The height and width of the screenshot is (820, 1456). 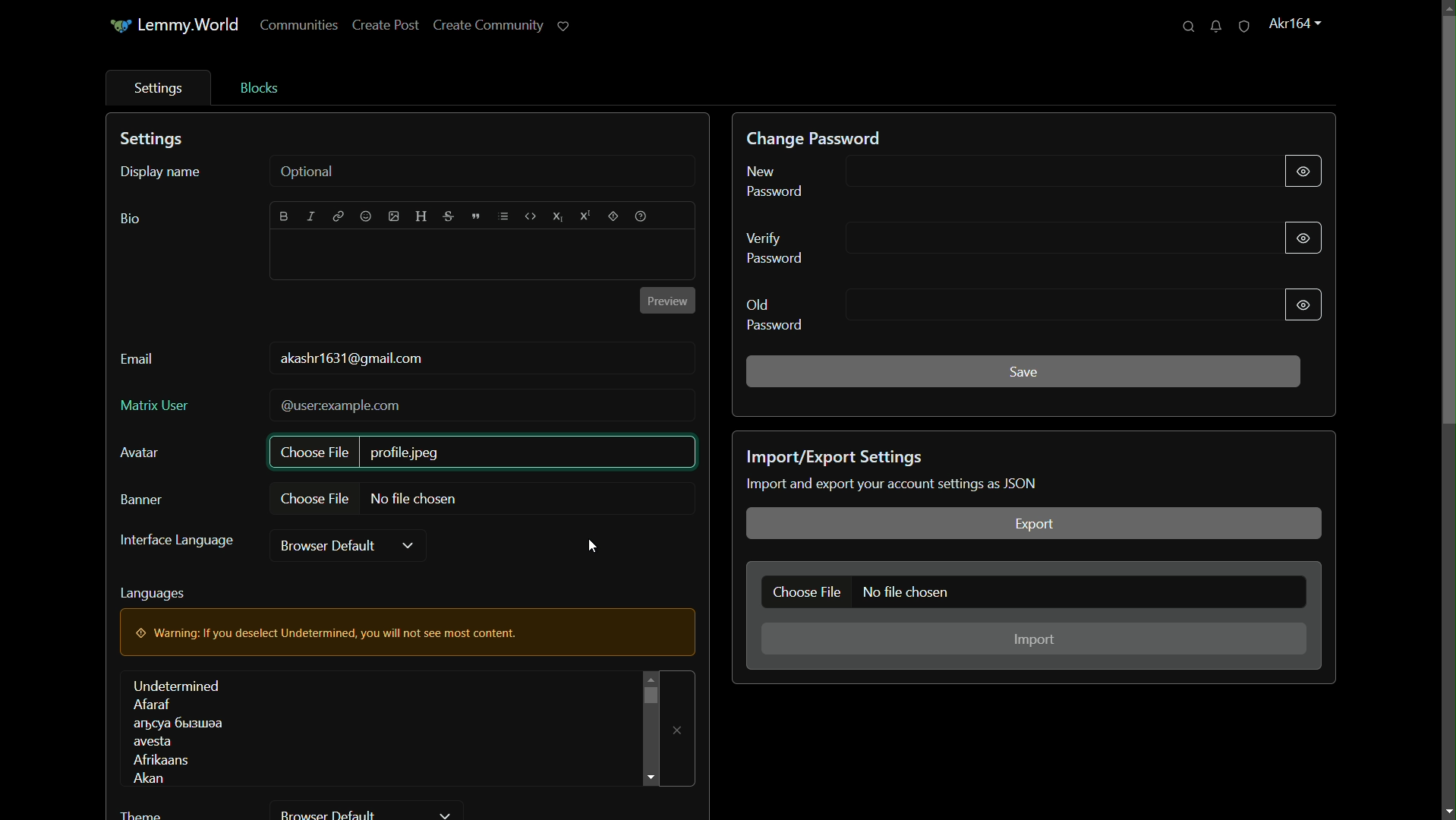 I want to click on old password input bar, so click(x=1050, y=306).